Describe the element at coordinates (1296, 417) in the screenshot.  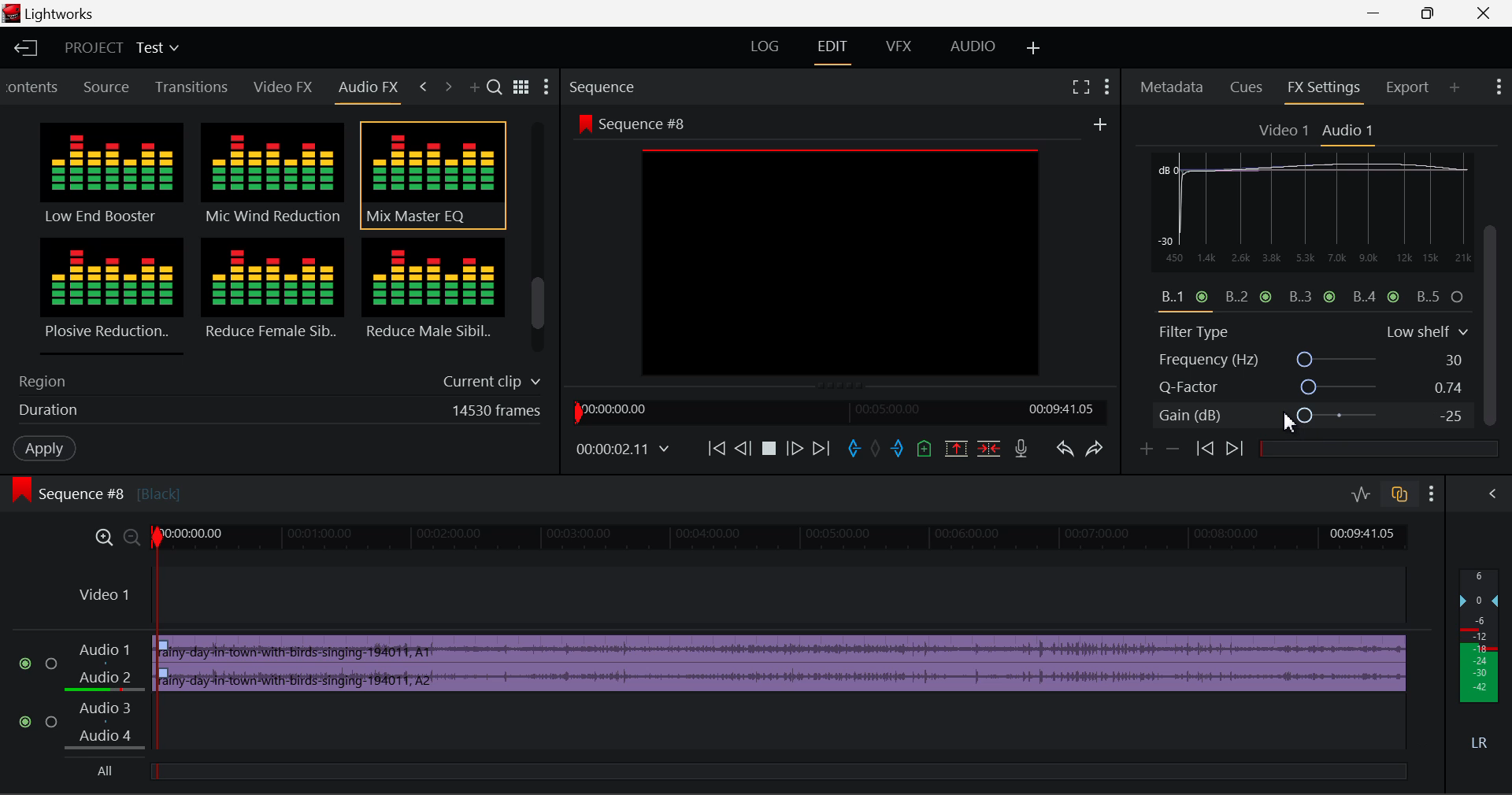
I see `DRAG_TO Cursor Position` at that location.